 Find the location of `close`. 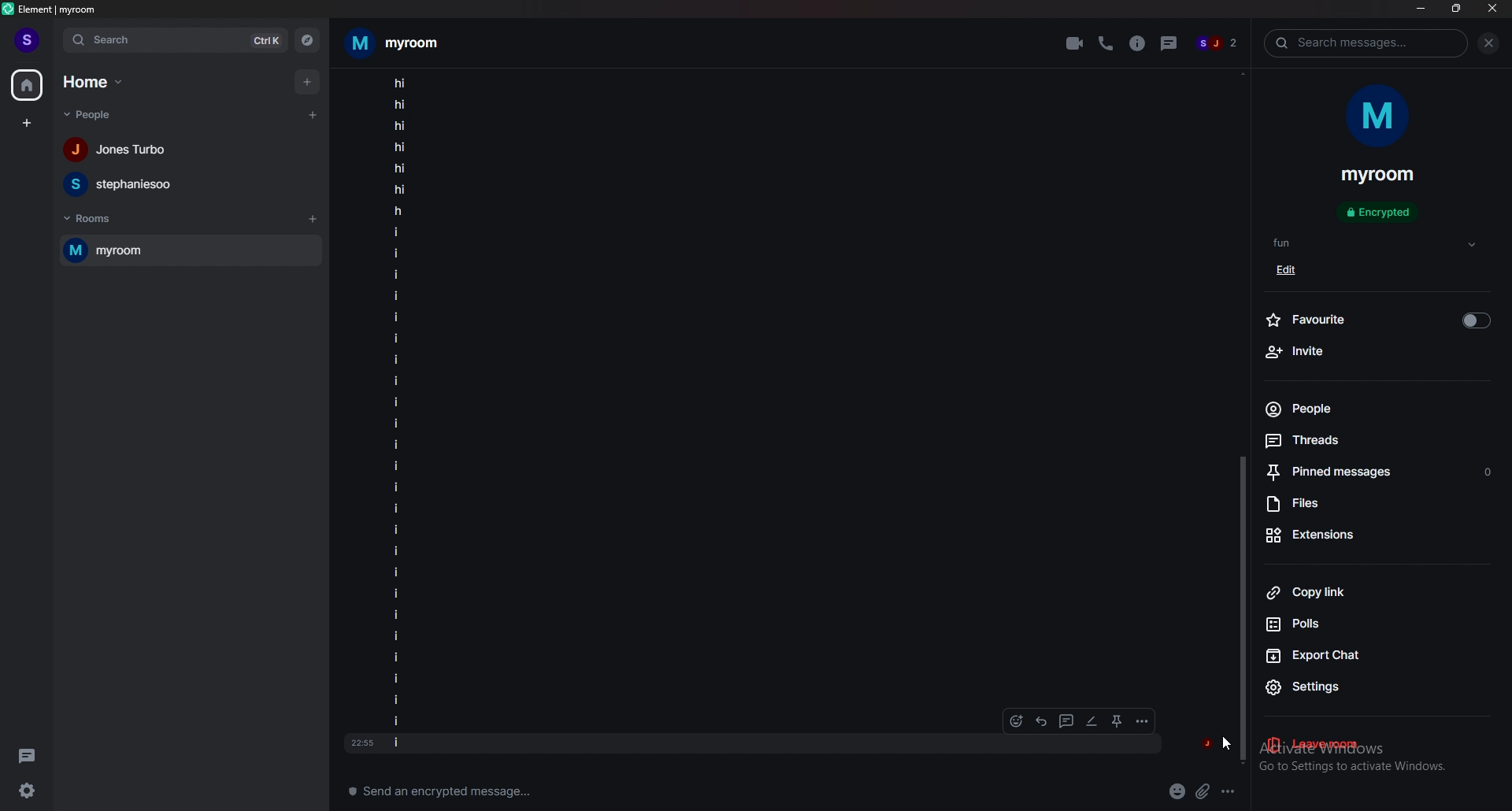

close is located at coordinates (1491, 44).